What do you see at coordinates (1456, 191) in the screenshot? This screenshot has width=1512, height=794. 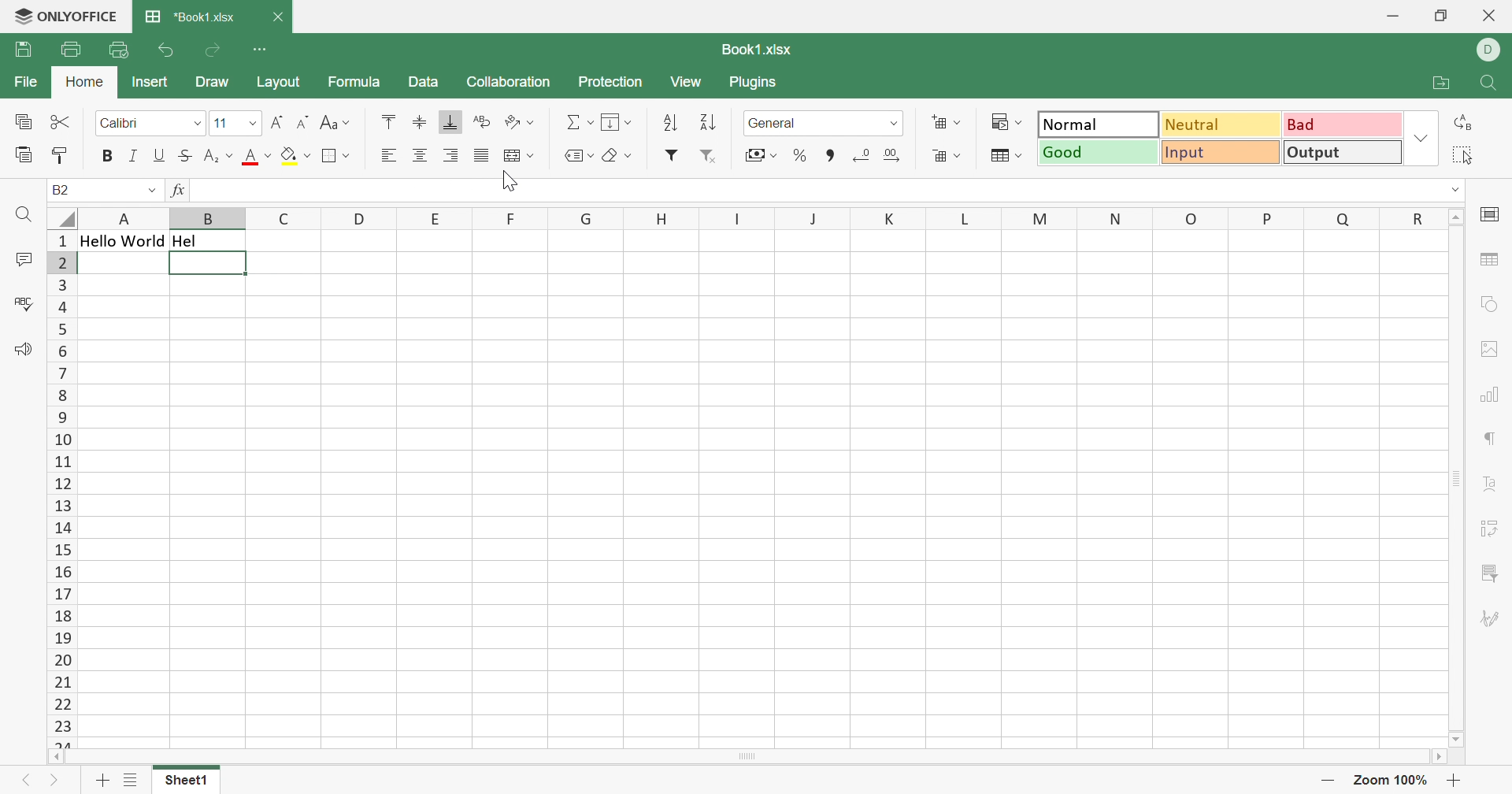 I see `Drop down` at bounding box center [1456, 191].